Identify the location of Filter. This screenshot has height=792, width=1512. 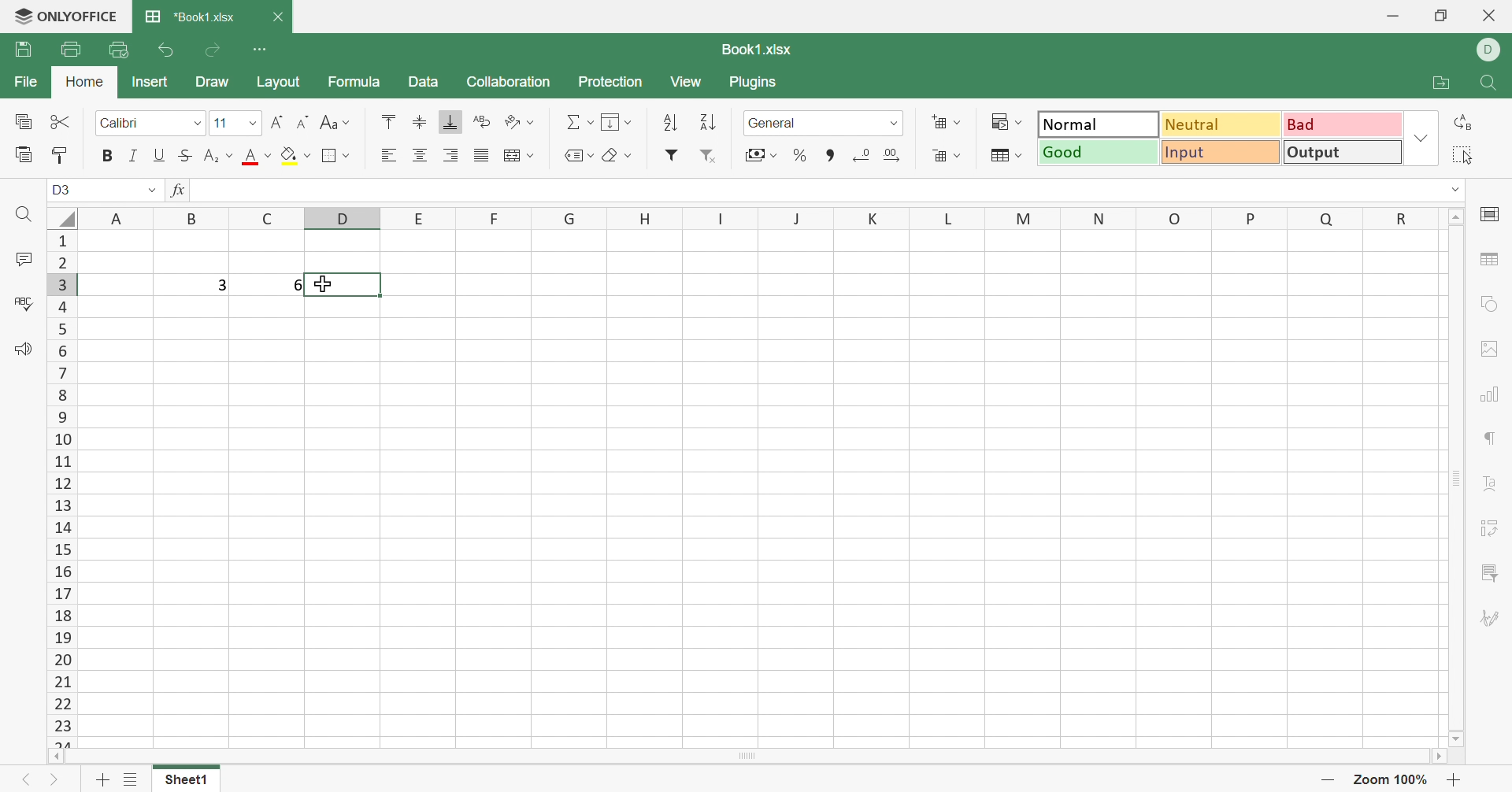
(674, 154).